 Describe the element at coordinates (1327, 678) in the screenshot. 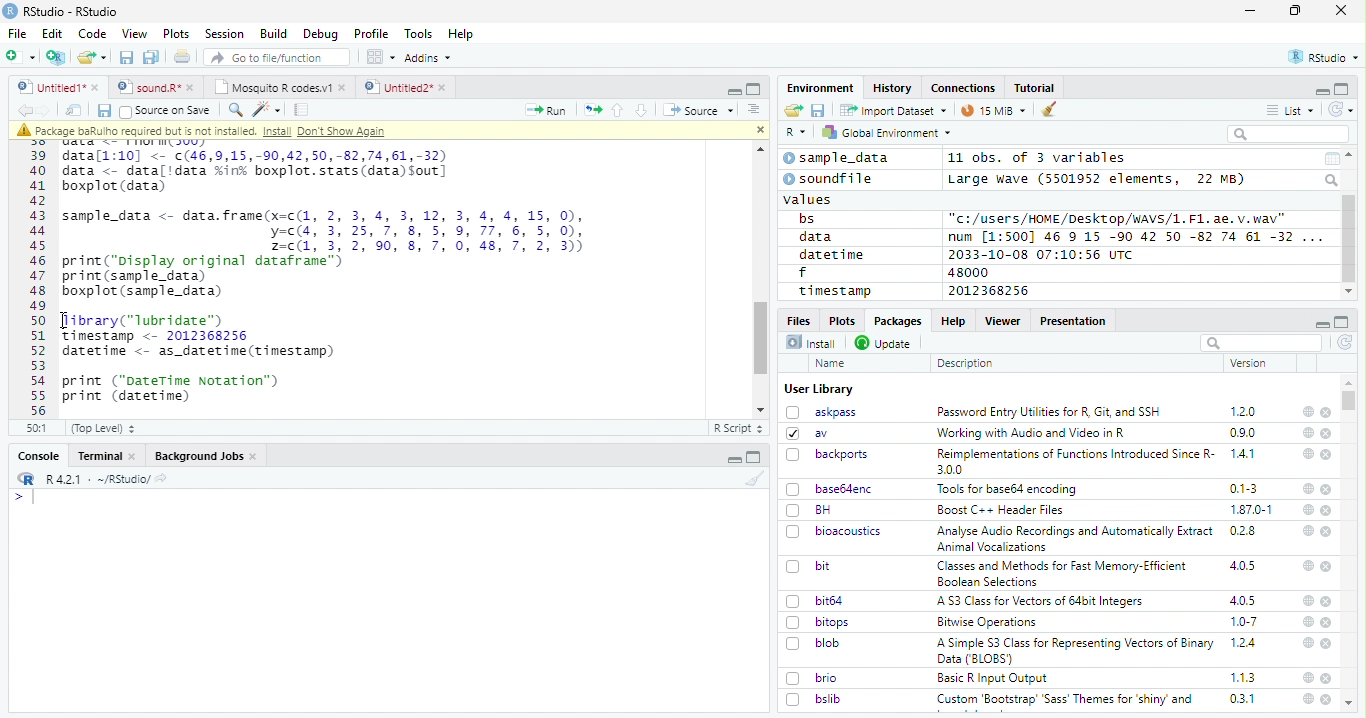

I see `close` at that location.